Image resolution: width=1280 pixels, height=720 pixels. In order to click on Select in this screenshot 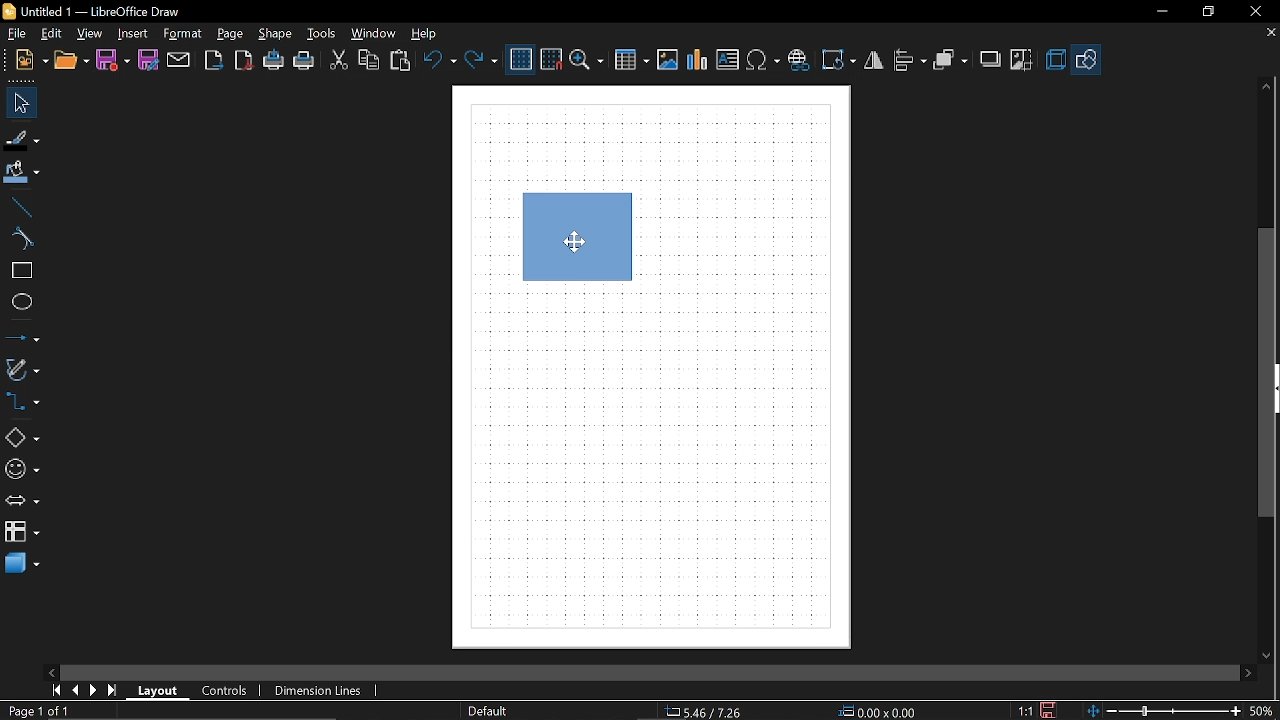, I will do `click(22, 103)`.